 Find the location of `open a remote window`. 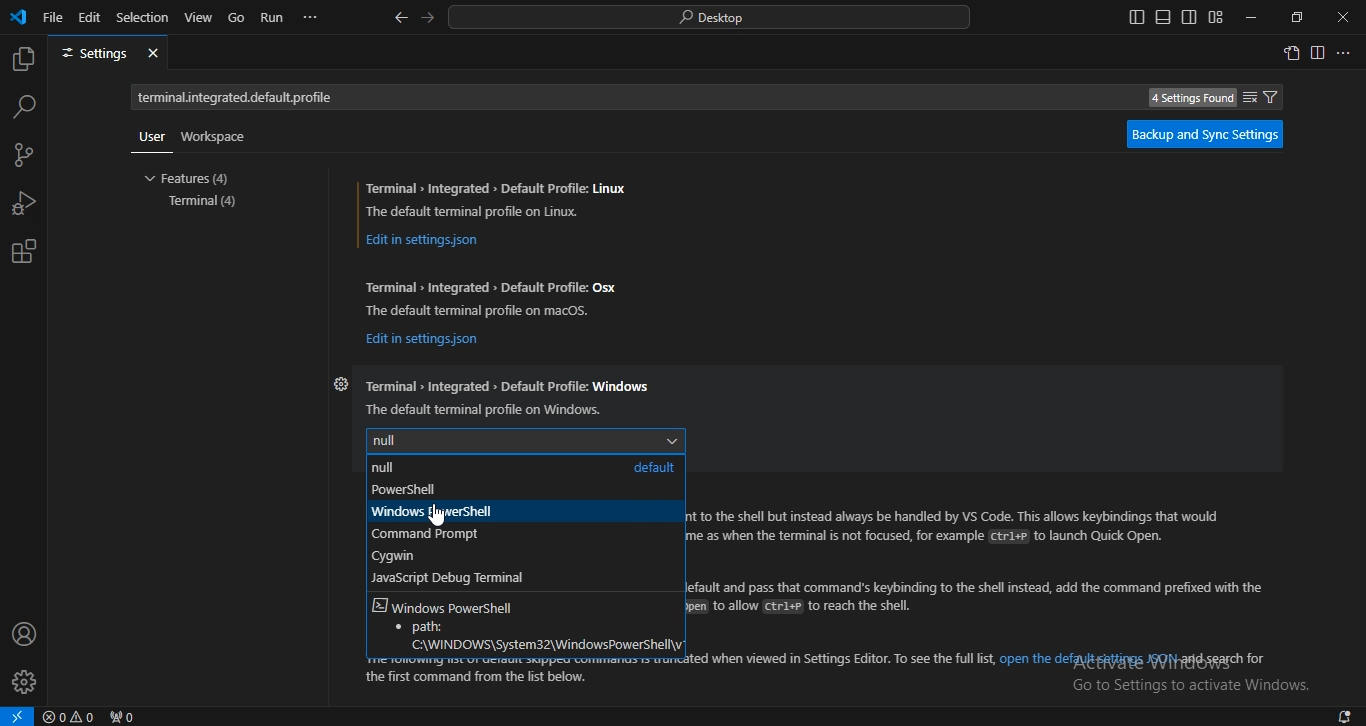

open a remote window is located at coordinates (18, 715).